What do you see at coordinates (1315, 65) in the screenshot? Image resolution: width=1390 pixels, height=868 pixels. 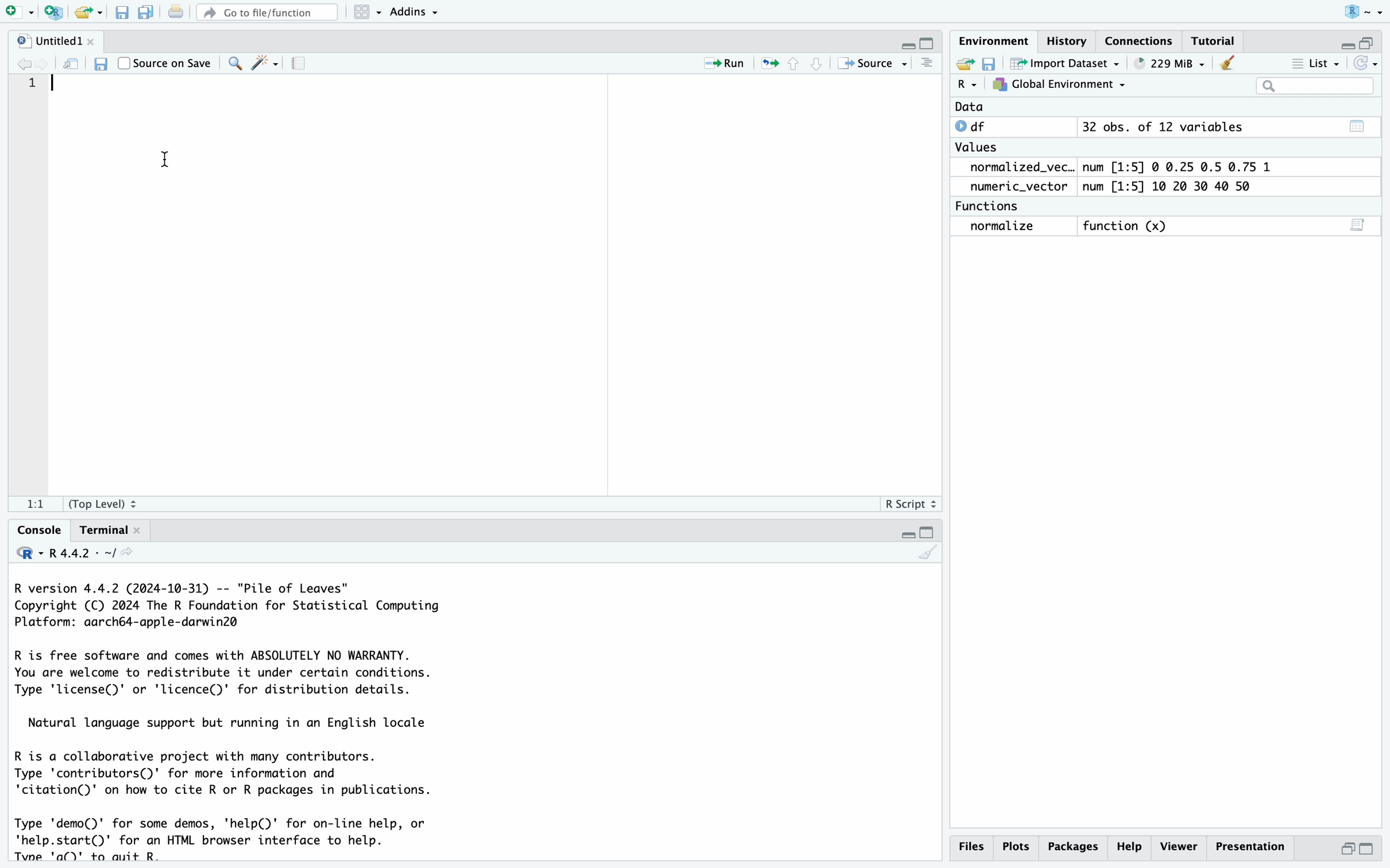 I see `List` at bounding box center [1315, 65].